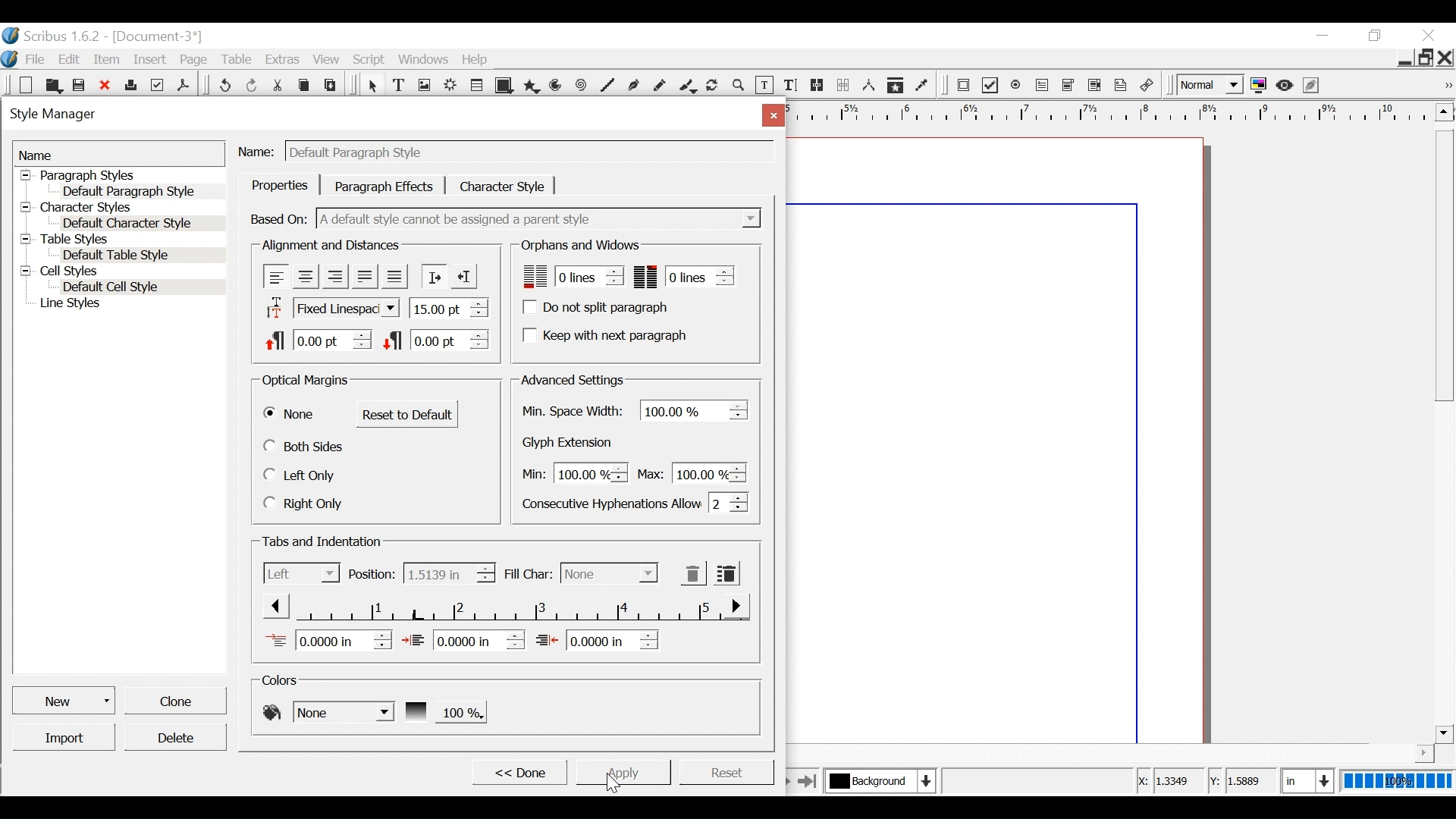  I want to click on First line Indent, so click(328, 640).